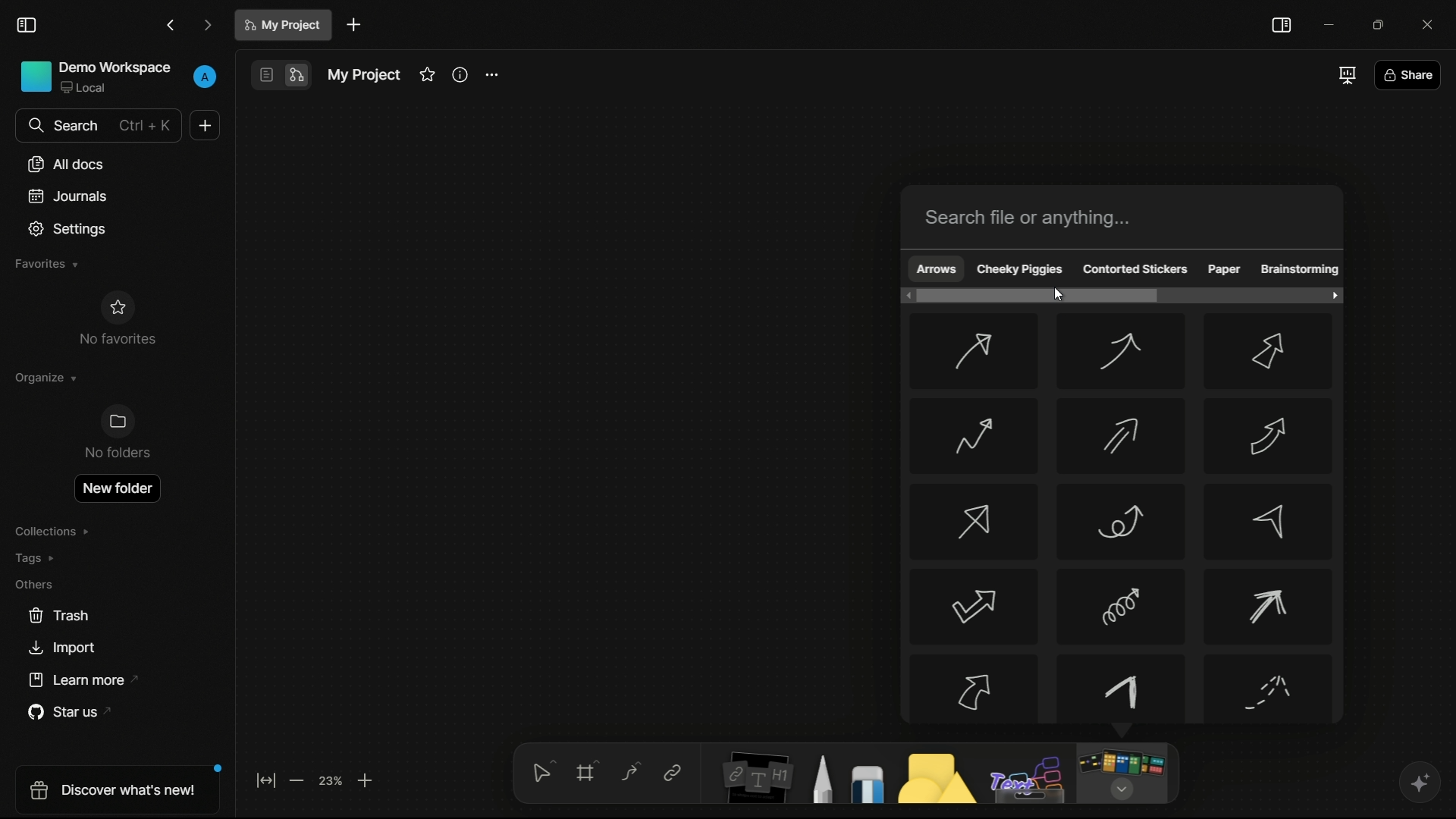  Describe the element at coordinates (1135, 270) in the screenshot. I see `contorted stickers` at that location.